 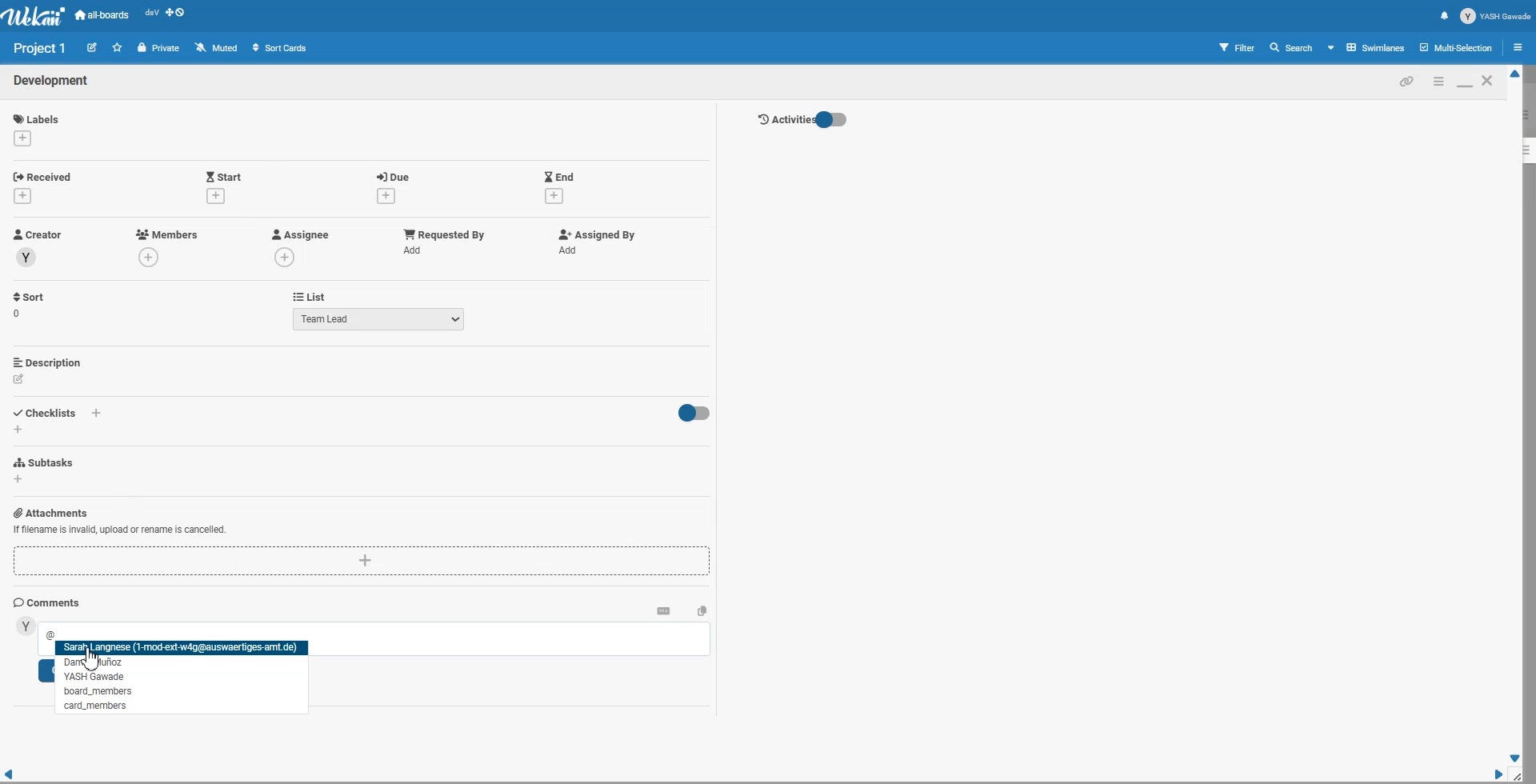 I want to click on tag People, so click(x=99, y=704).